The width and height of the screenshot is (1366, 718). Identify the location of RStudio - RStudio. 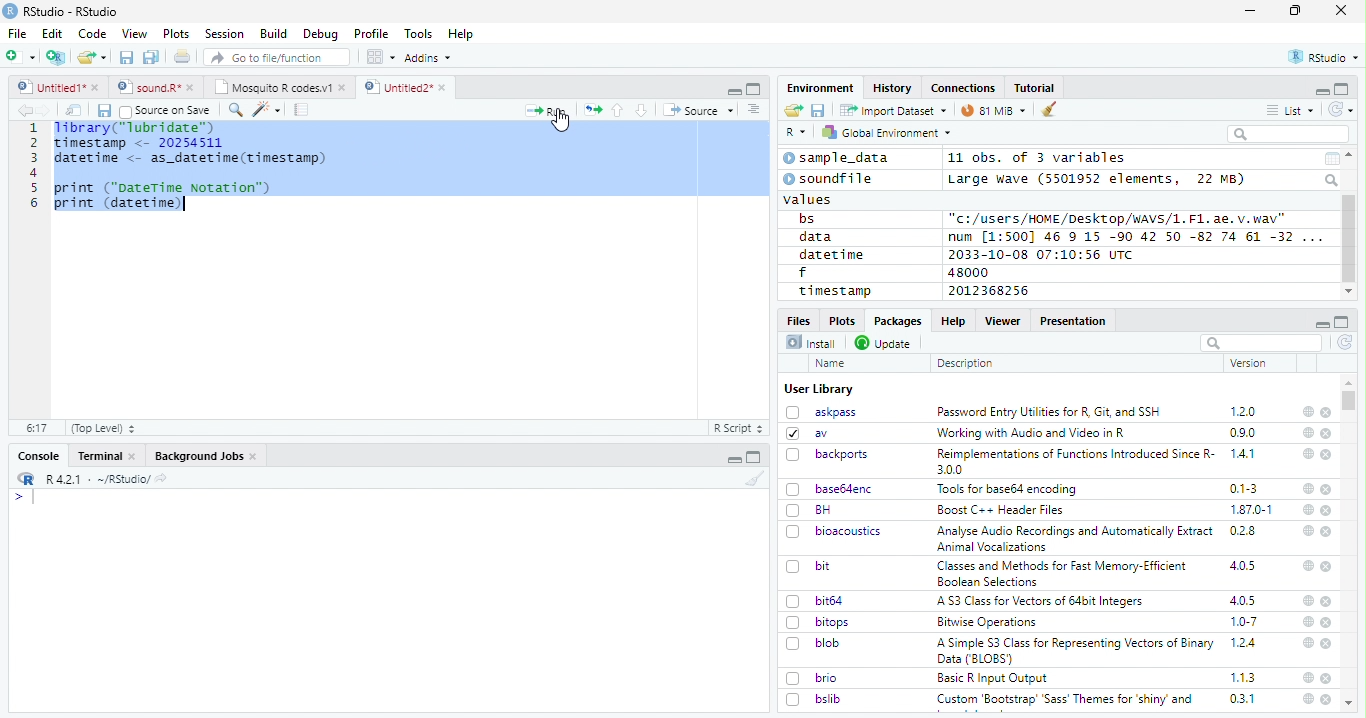
(71, 11).